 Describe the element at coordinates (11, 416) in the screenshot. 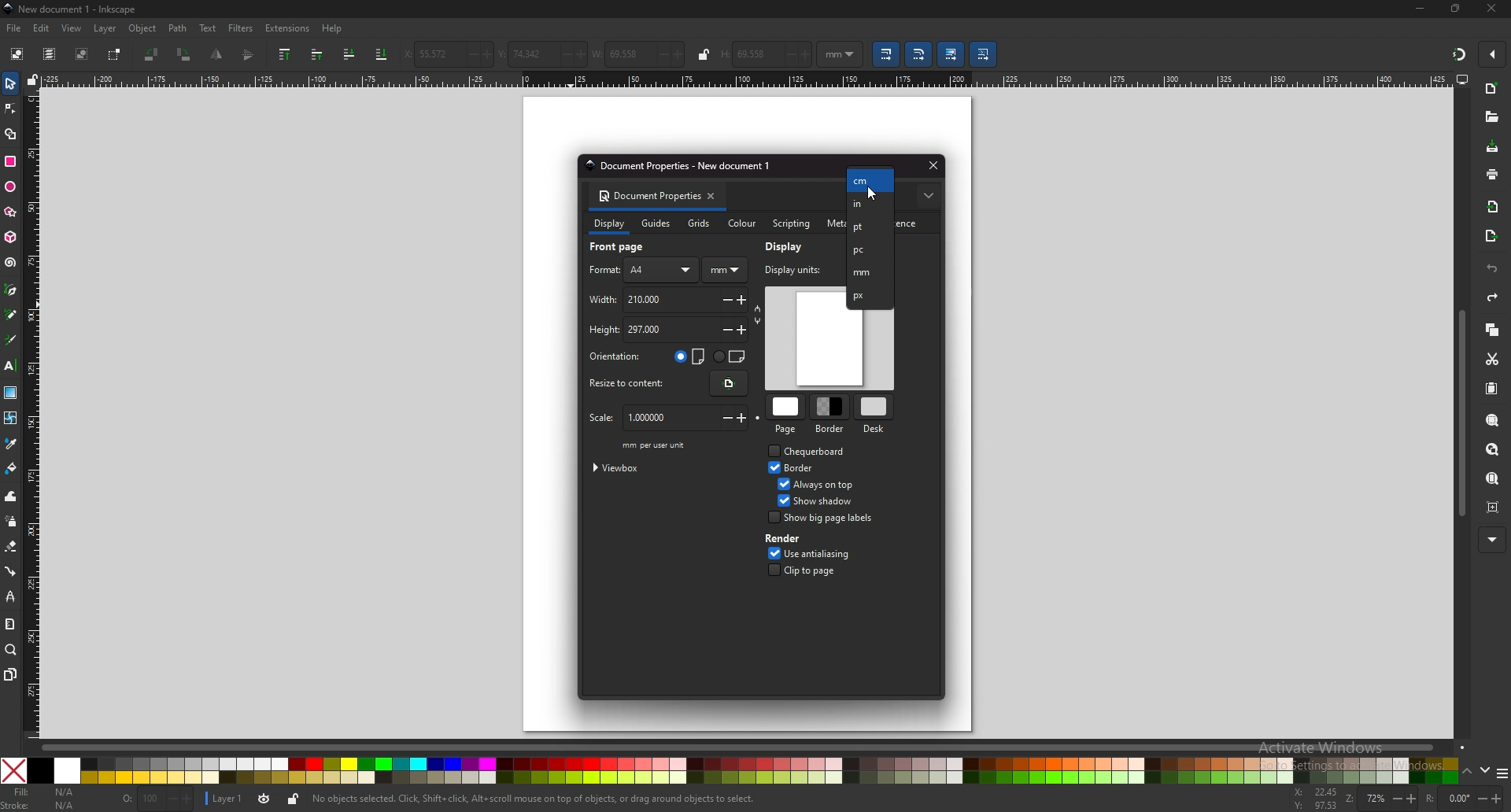

I see `mesh` at that location.